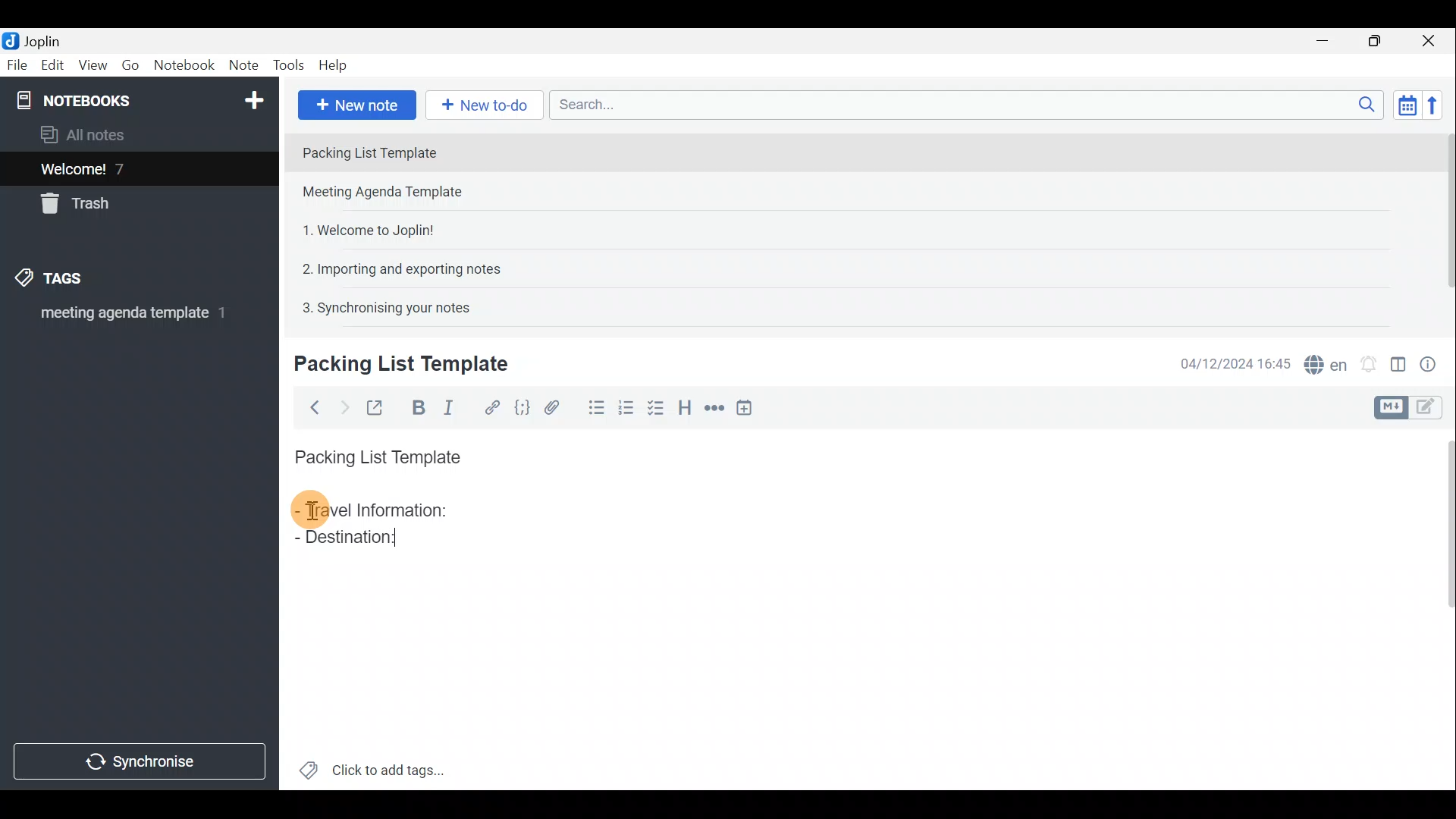 The width and height of the screenshot is (1456, 819). What do you see at coordinates (397, 193) in the screenshot?
I see `Note 2` at bounding box center [397, 193].